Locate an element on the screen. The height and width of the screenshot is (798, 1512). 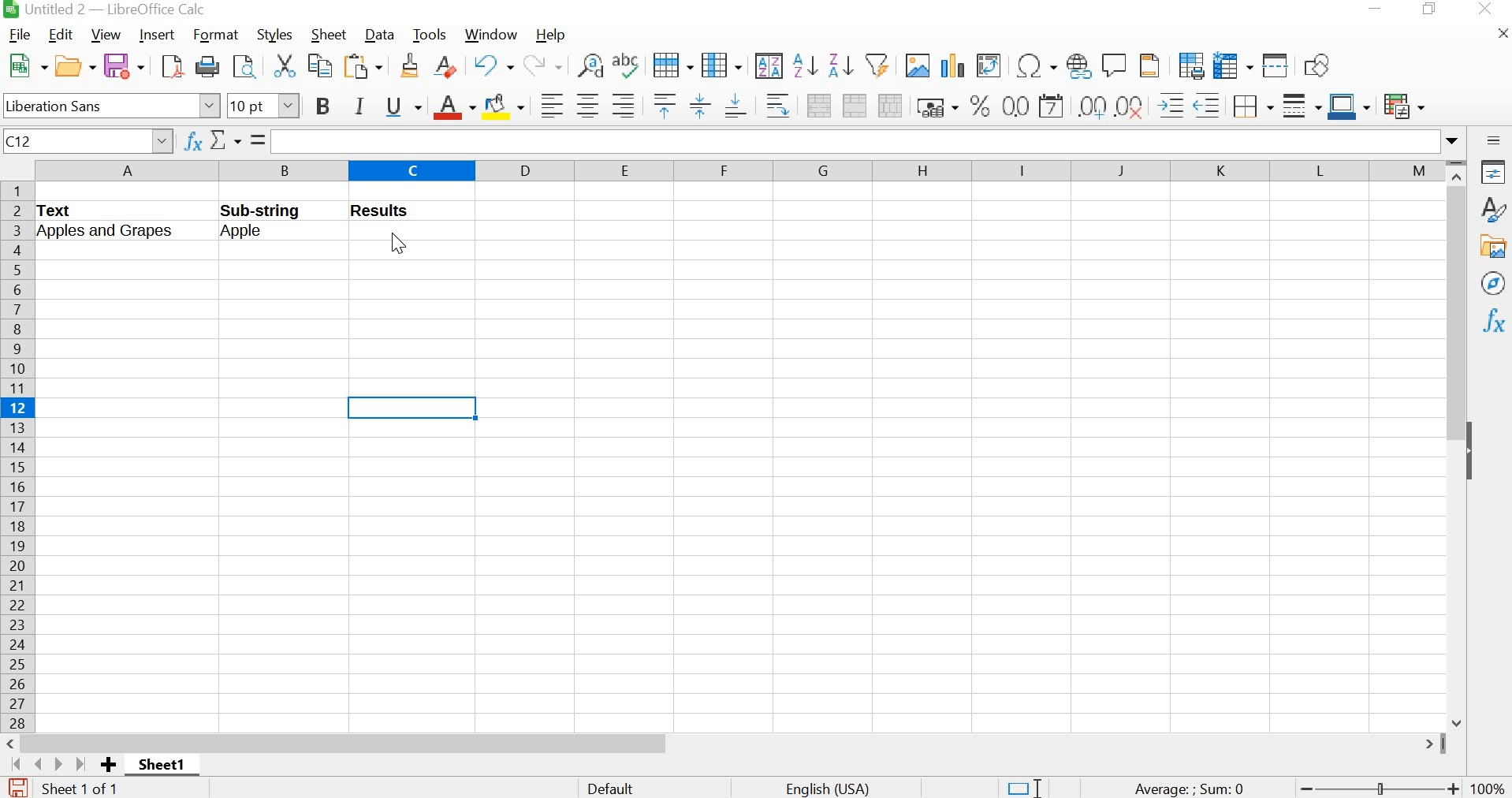
format is located at coordinates (217, 35).